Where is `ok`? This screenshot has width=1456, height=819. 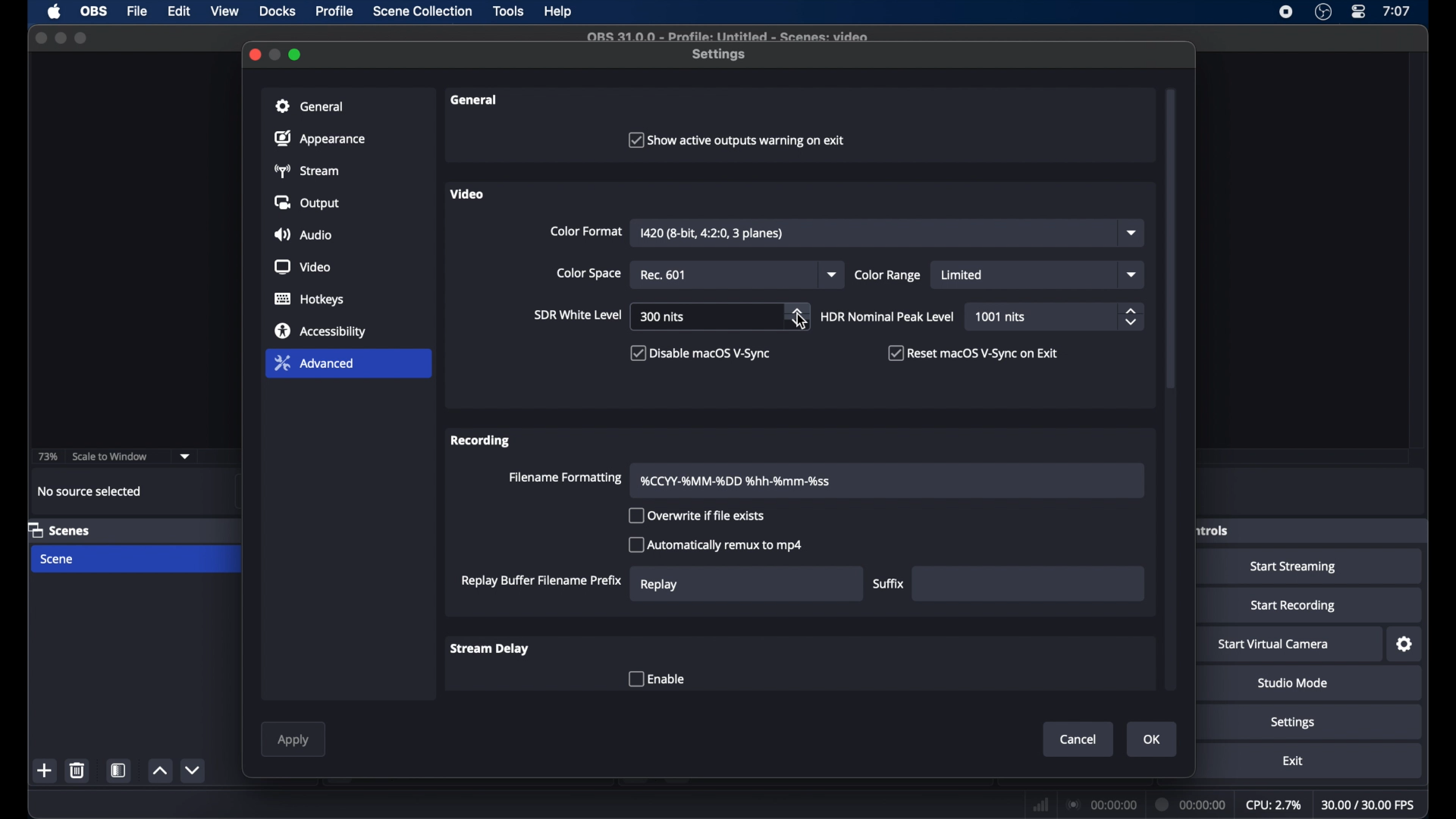 ok is located at coordinates (1152, 740).